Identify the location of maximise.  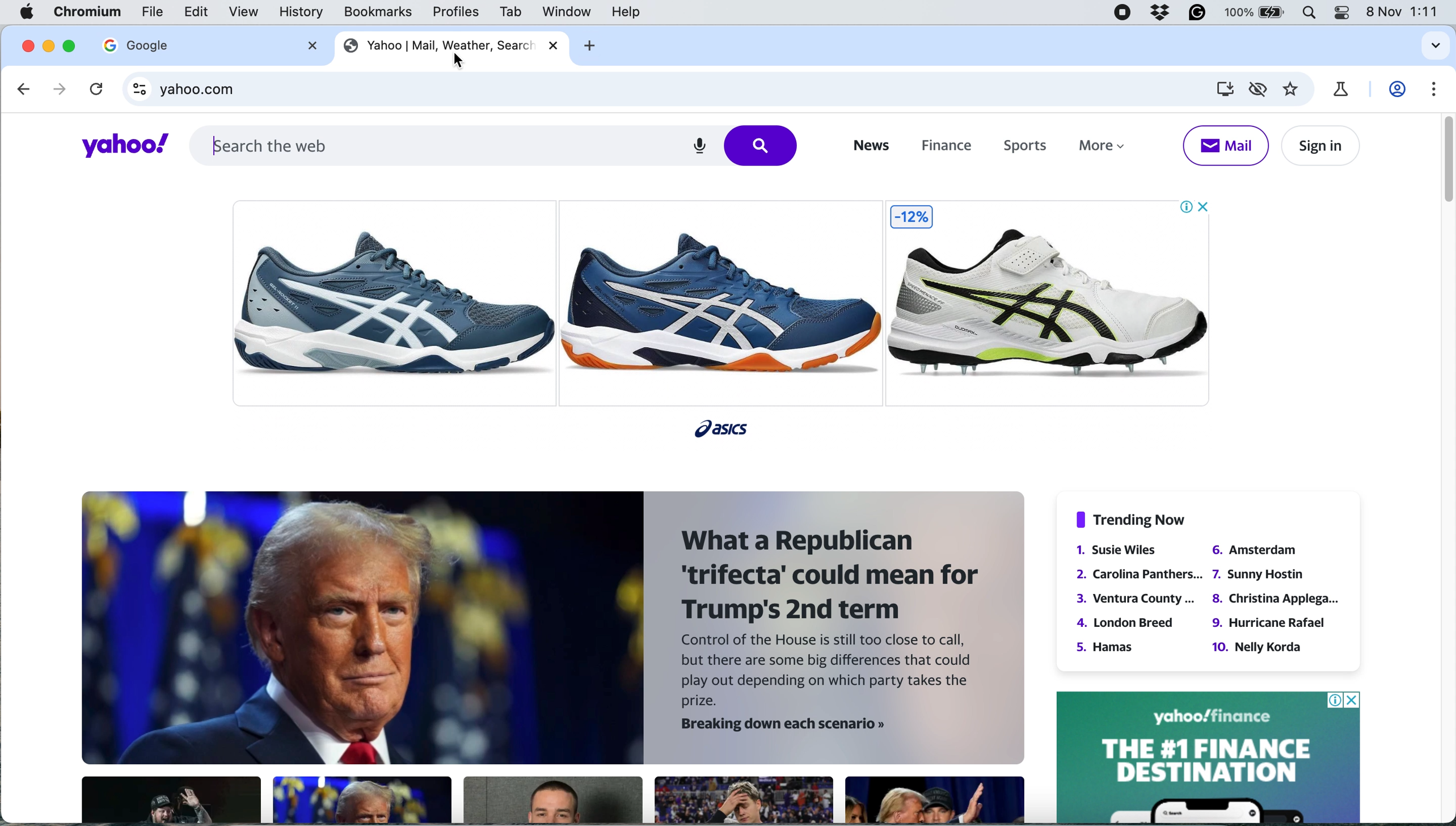
(74, 45).